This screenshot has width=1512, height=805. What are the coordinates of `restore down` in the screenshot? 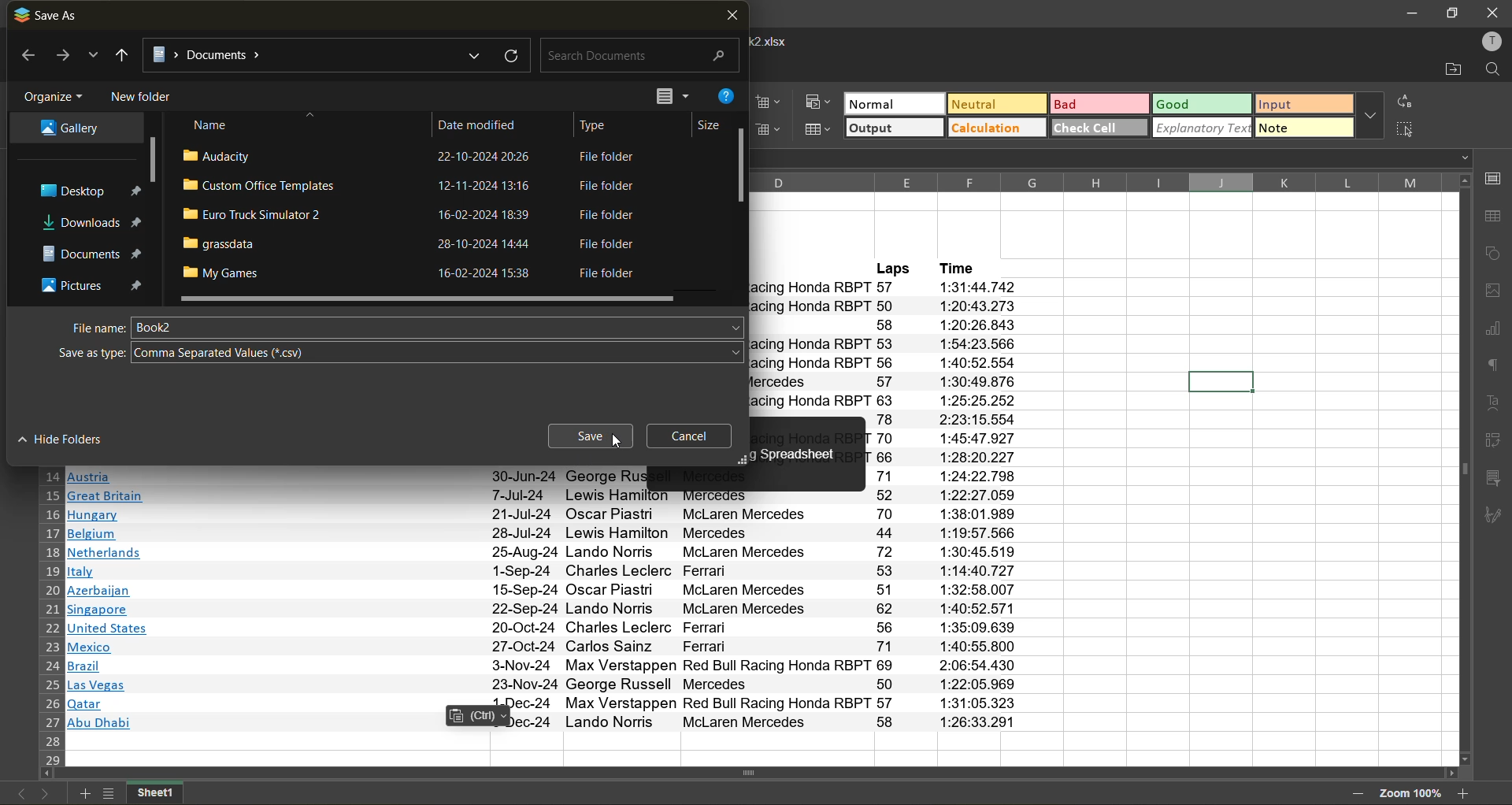 It's located at (1451, 13).